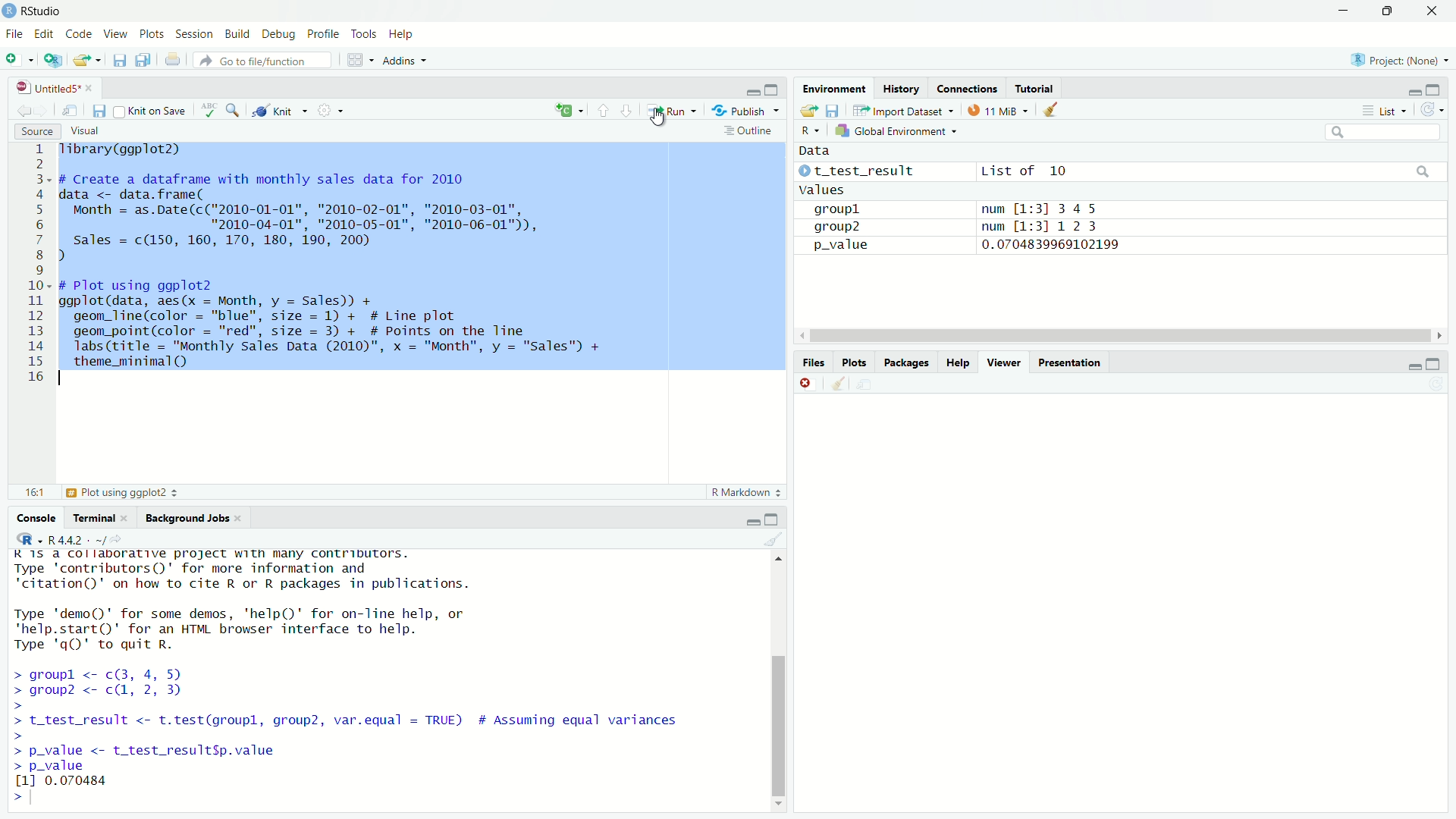  Describe the element at coordinates (749, 130) in the screenshot. I see `Outline` at that location.